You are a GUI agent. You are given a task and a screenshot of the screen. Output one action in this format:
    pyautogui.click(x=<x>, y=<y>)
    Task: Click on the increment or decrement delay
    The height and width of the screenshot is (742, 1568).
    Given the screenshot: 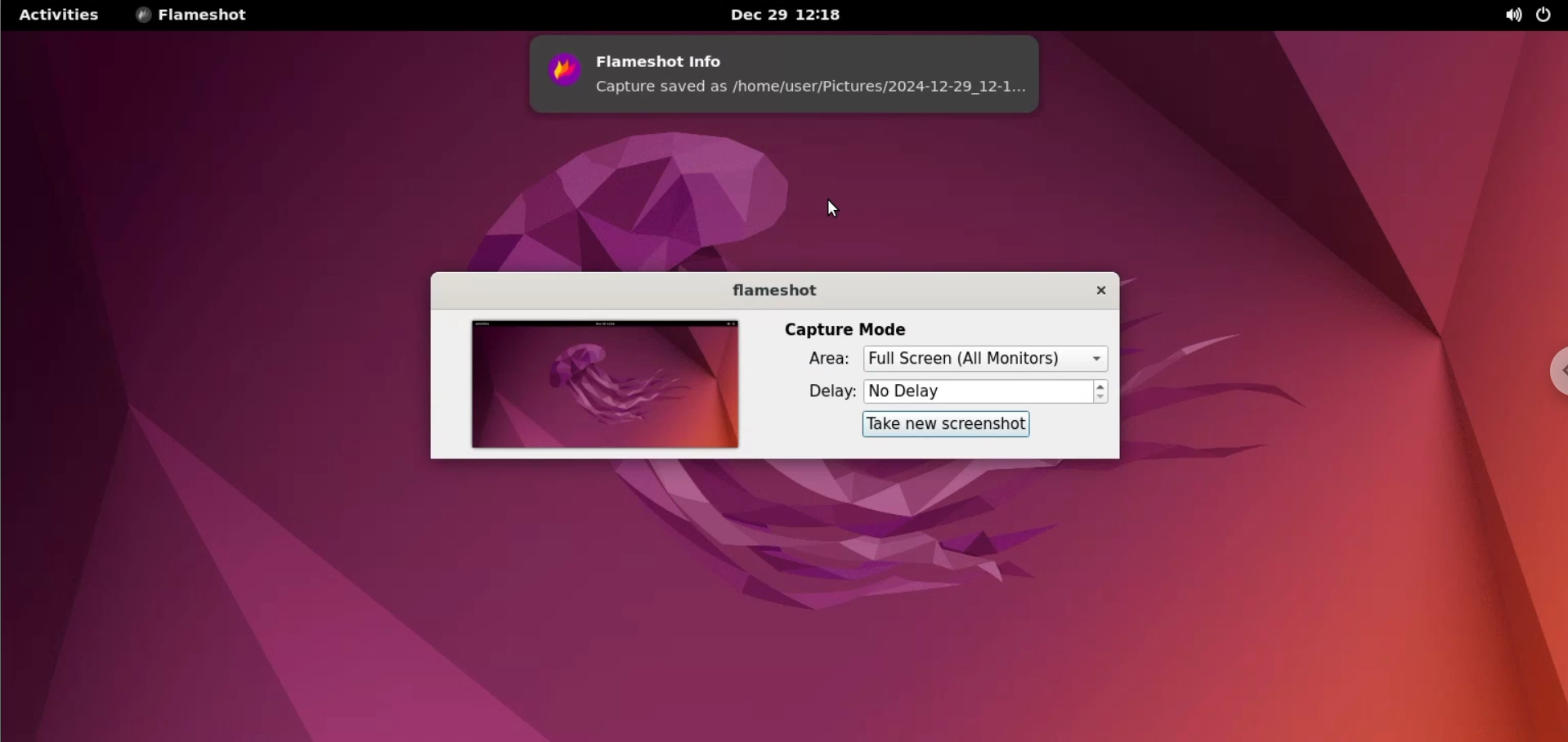 What is the action you would take?
    pyautogui.click(x=1104, y=391)
    